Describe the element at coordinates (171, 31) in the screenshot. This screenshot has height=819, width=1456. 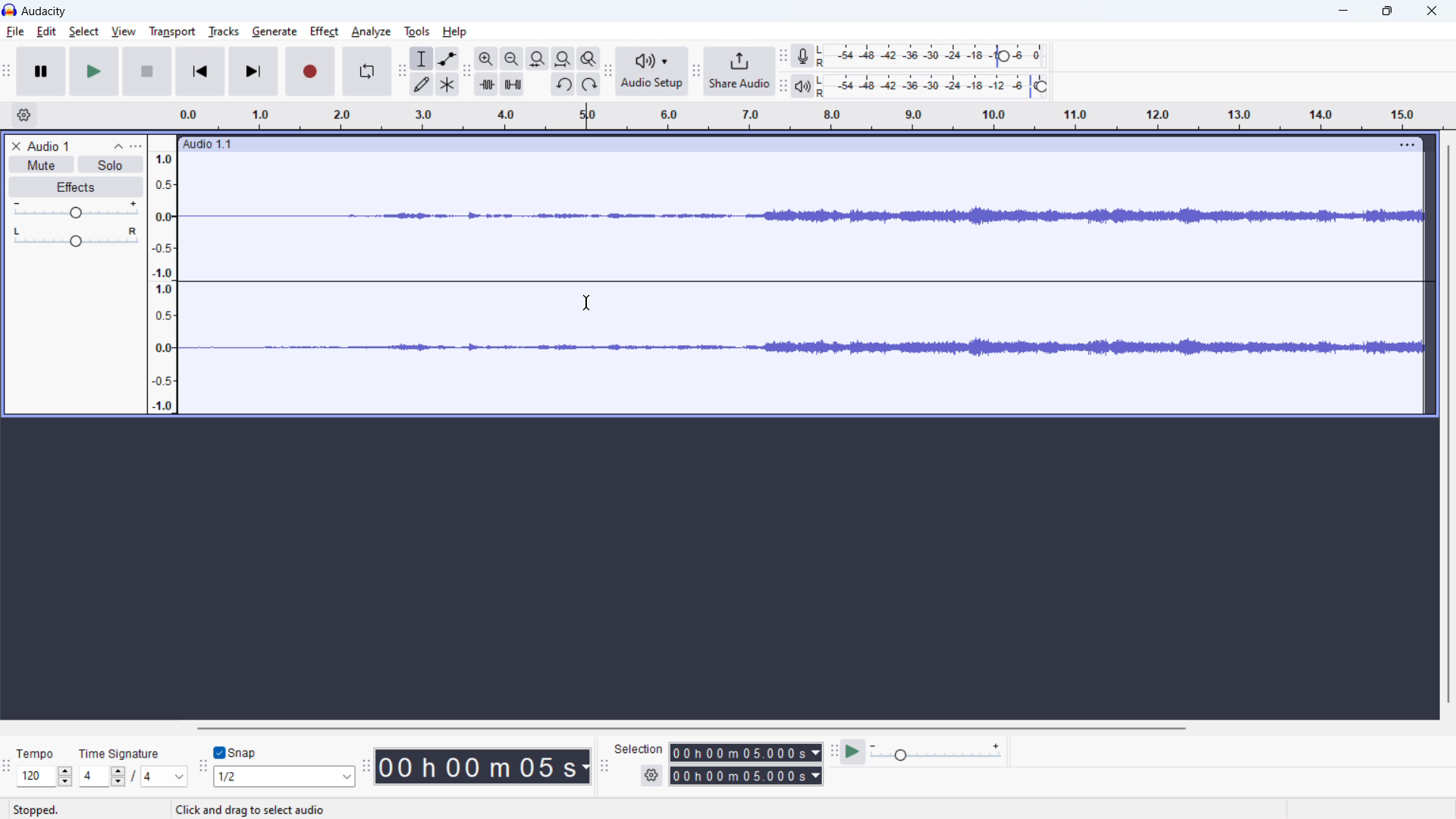
I see `transport` at that location.